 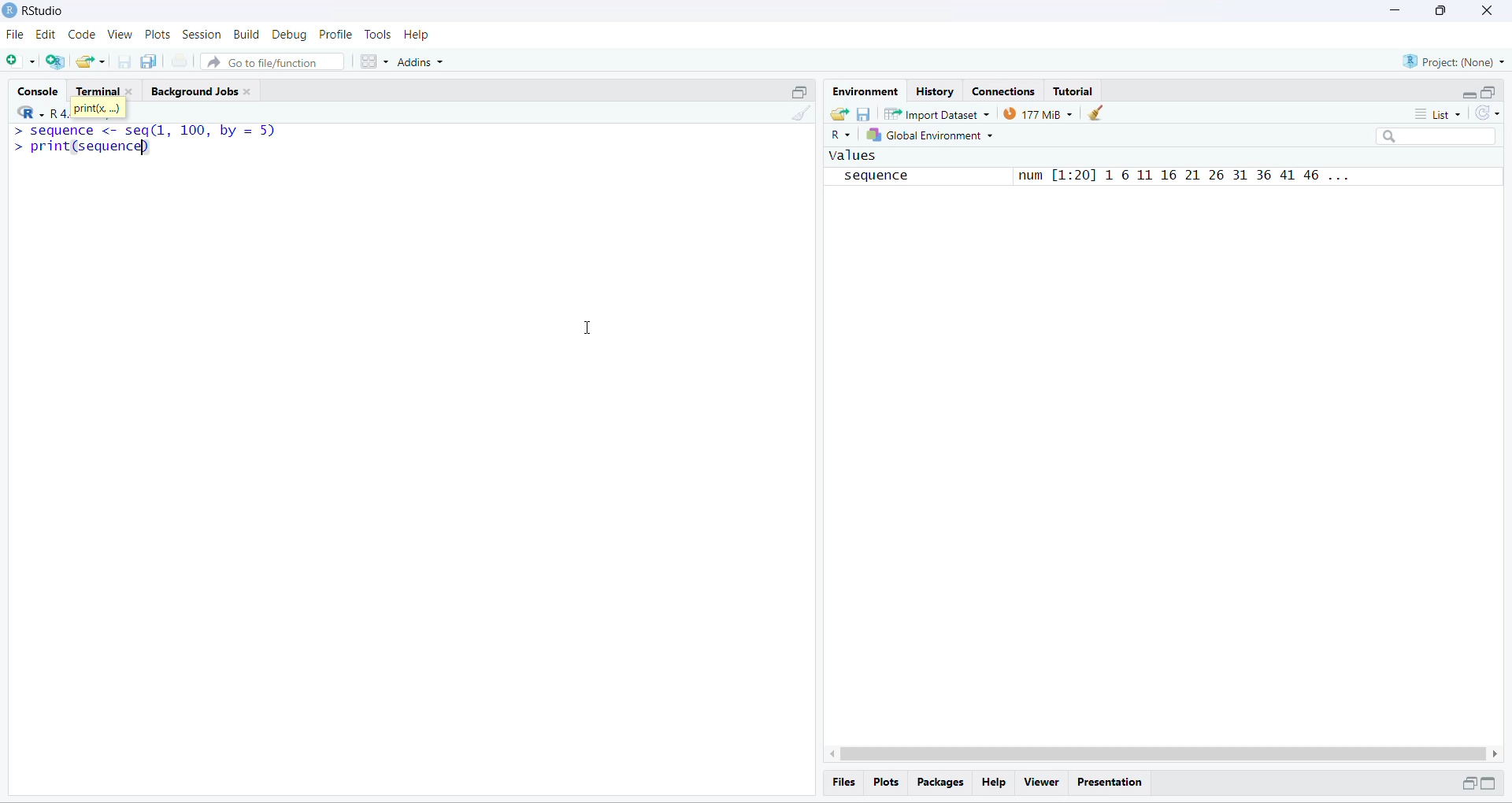 I want to click on clean, so click(x=802, y=113).